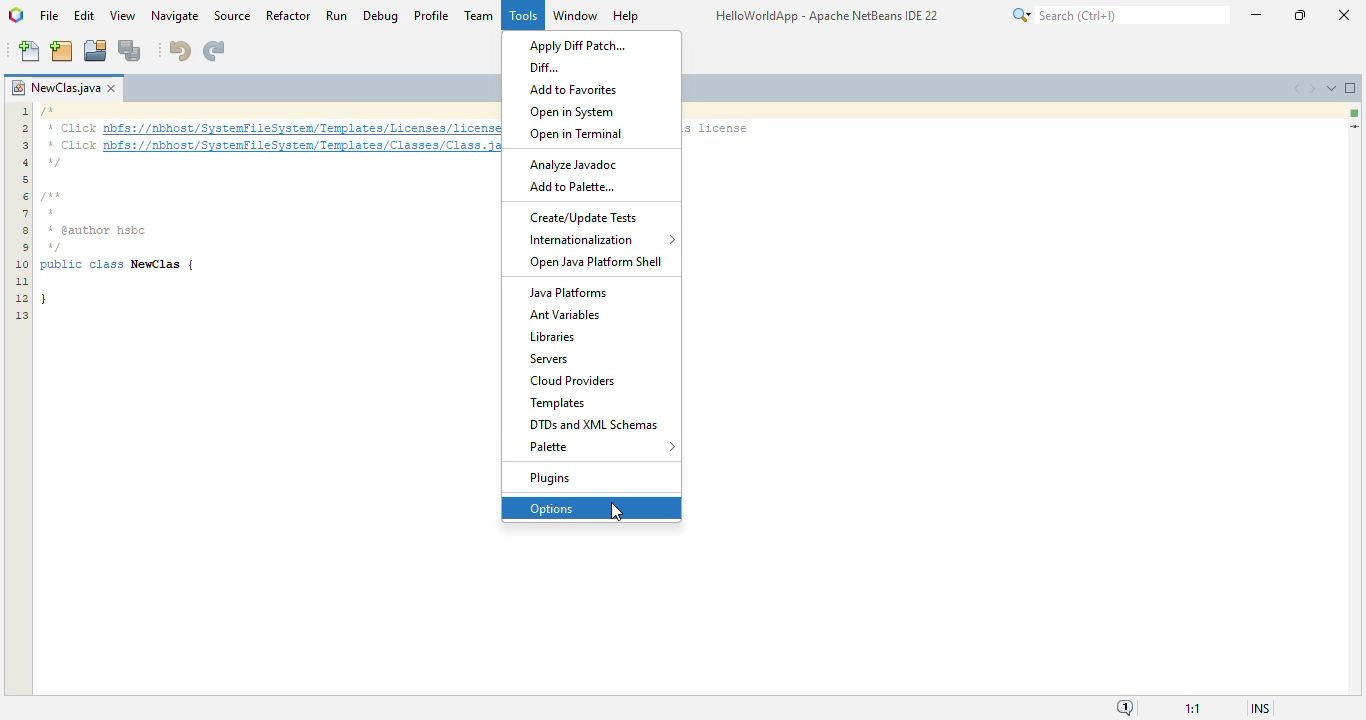  Describe the element at coordinates (1344, 14) in the screenshot. I see `close` at that location.